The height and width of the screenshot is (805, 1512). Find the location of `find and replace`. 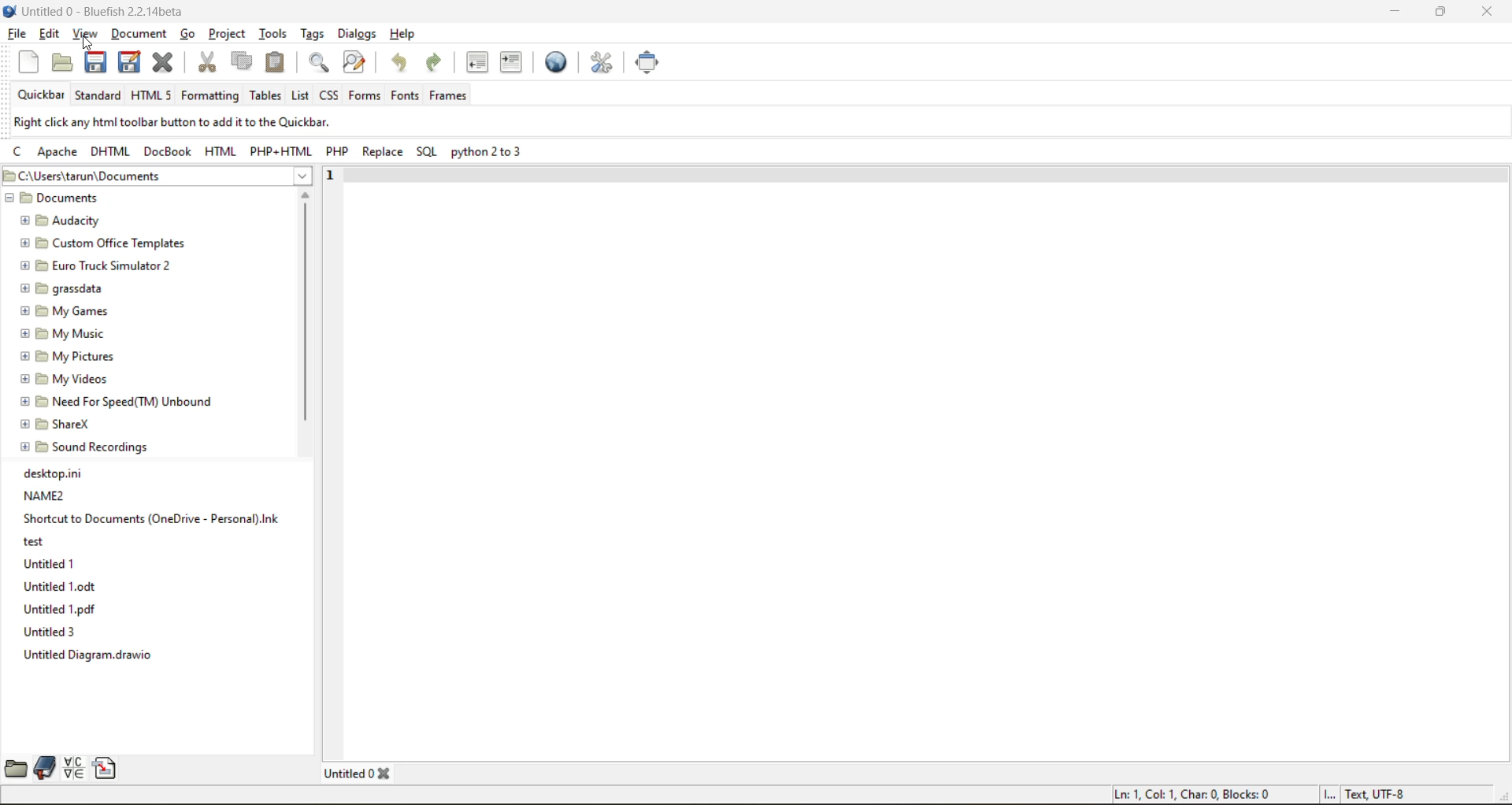

find and replace is located at coordinates (359, 65).